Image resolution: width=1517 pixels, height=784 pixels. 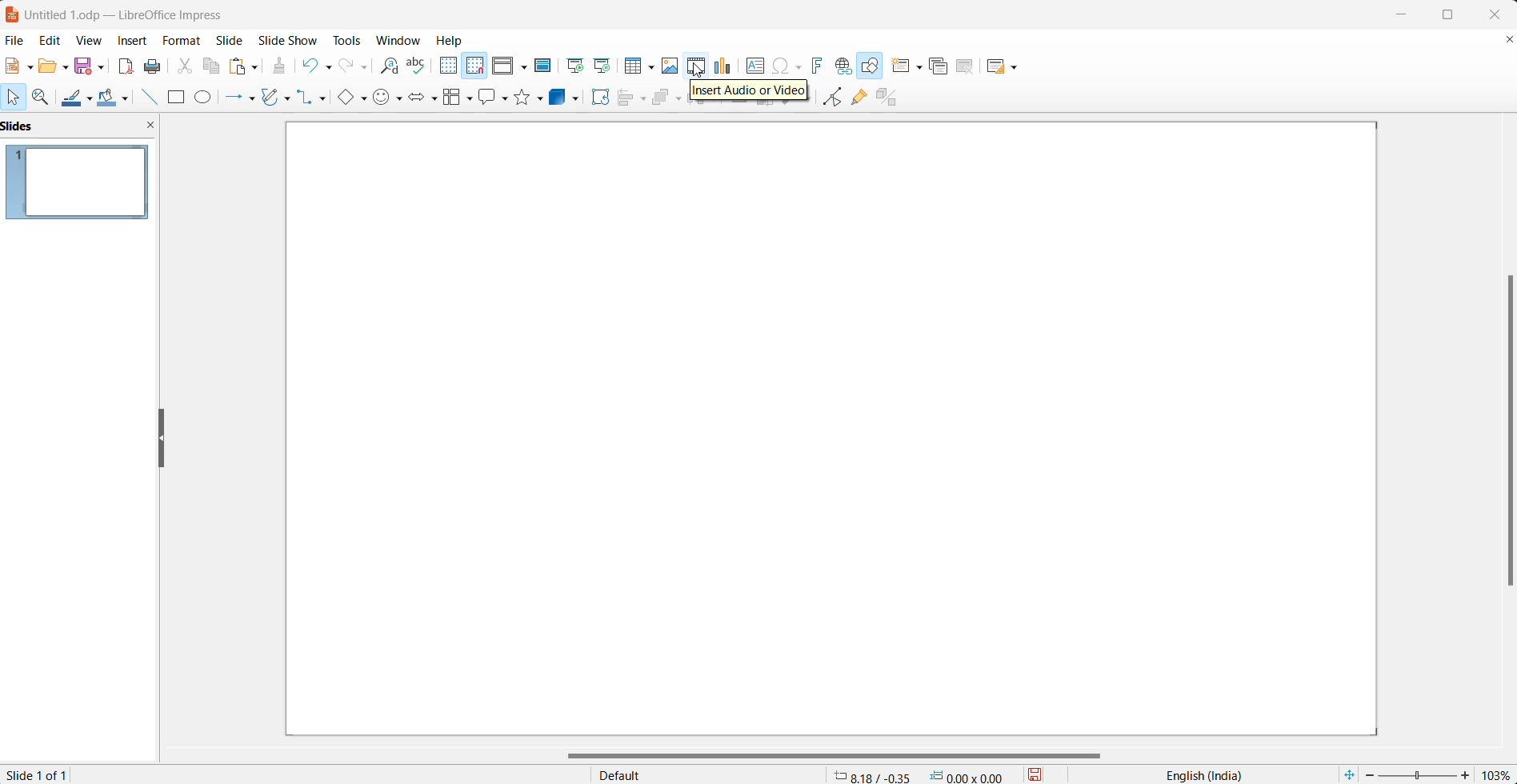 I want to click on close, so click(x=1494, y=14).